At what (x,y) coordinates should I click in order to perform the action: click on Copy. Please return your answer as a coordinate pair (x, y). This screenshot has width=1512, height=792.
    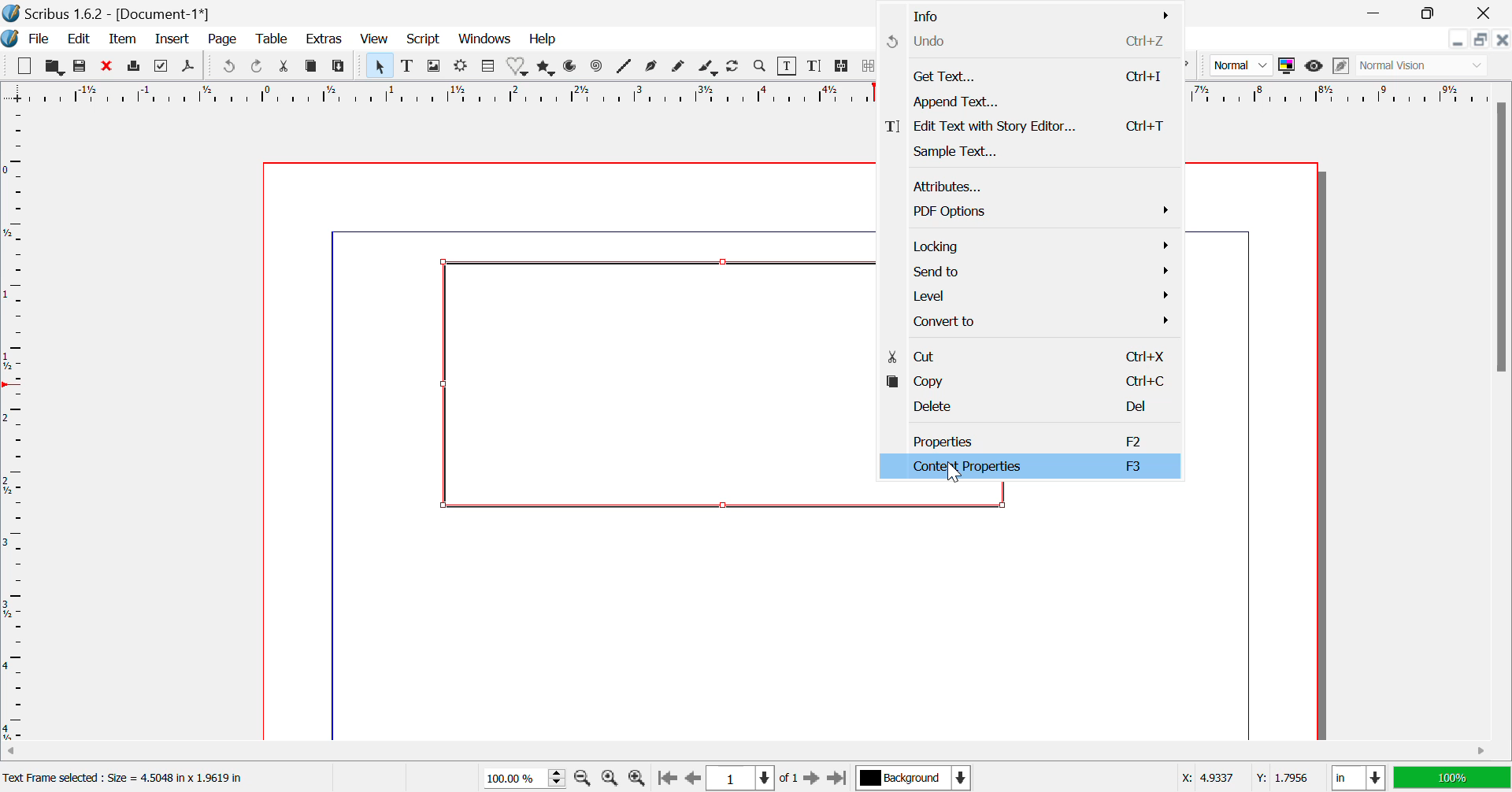
    Looking at the image, I should click on (312, 66).